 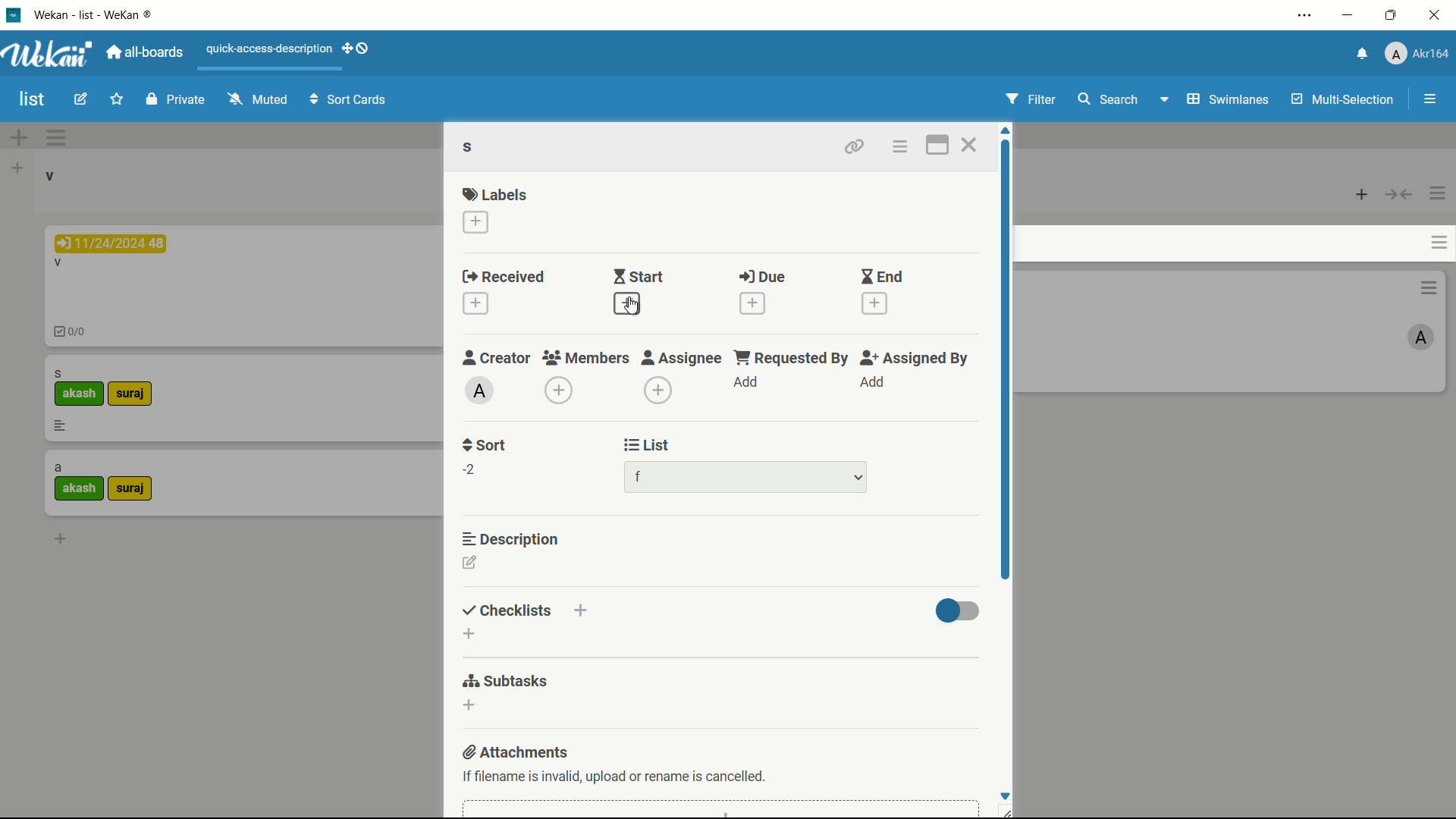 I want to click on app logo, so click(x=49, y=54).